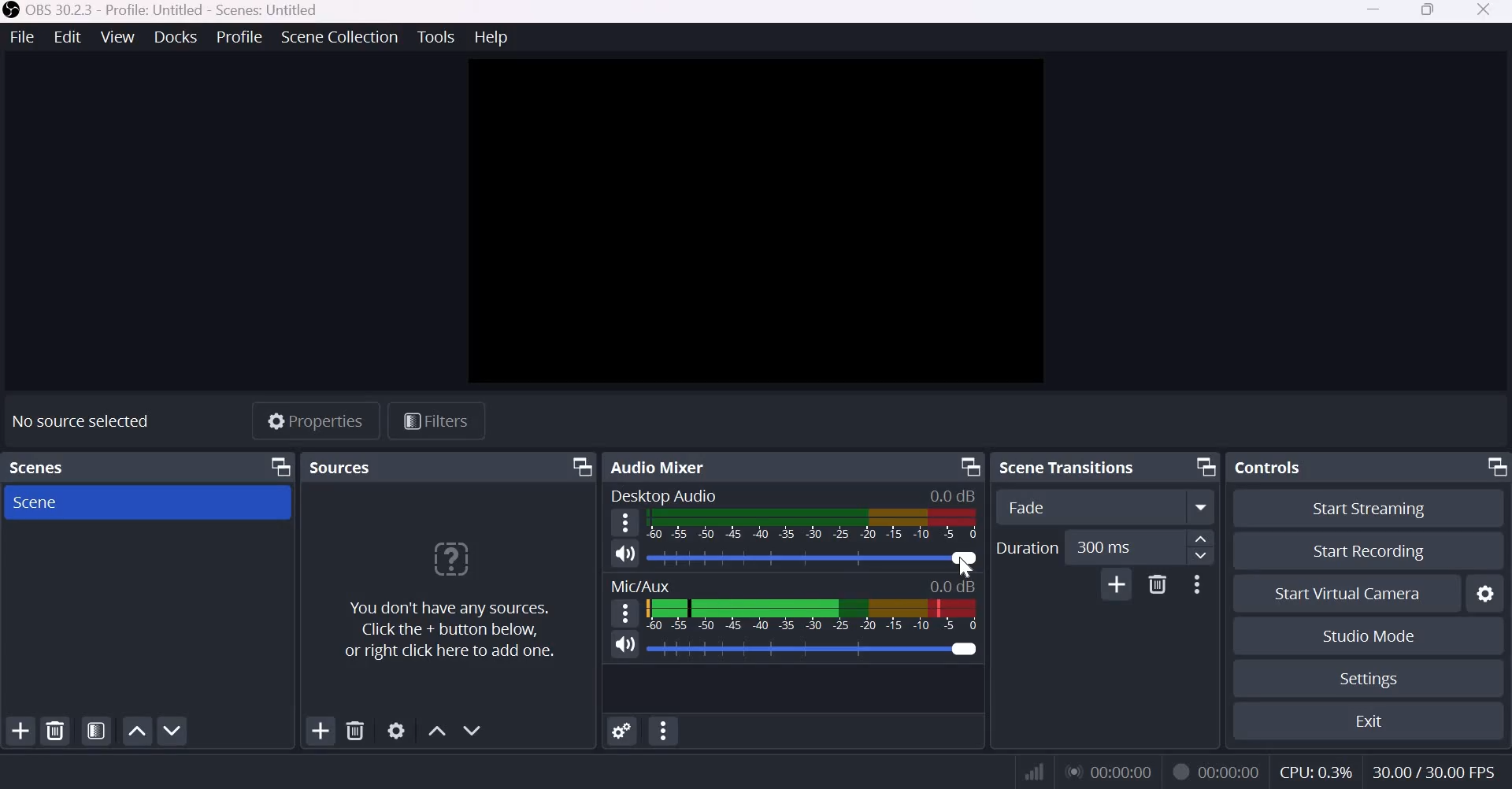  I want to click on 300 ms, so click(1124, 548).